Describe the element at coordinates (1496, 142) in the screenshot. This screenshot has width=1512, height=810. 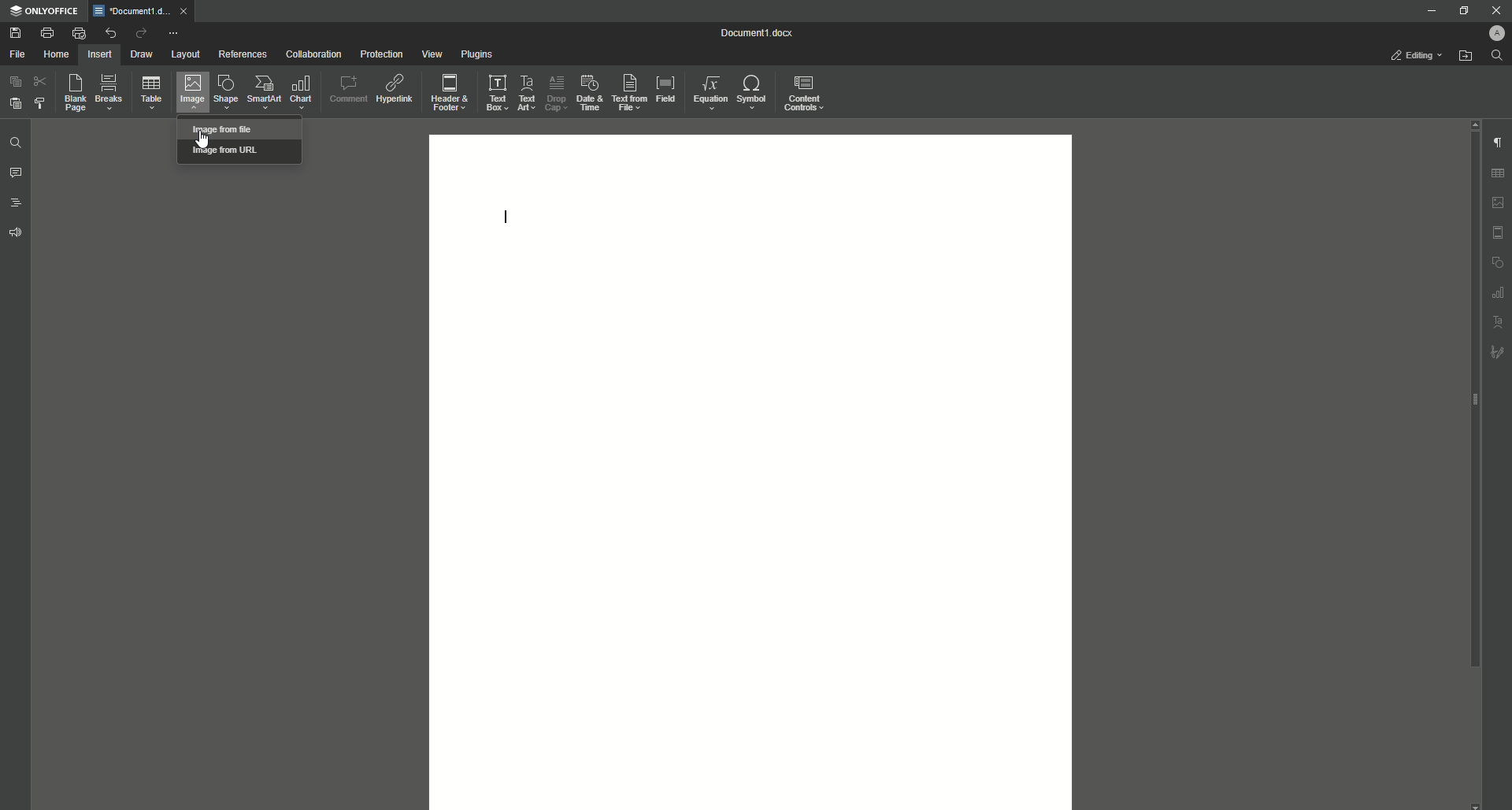
I see `Paragraph Settings` at that location.